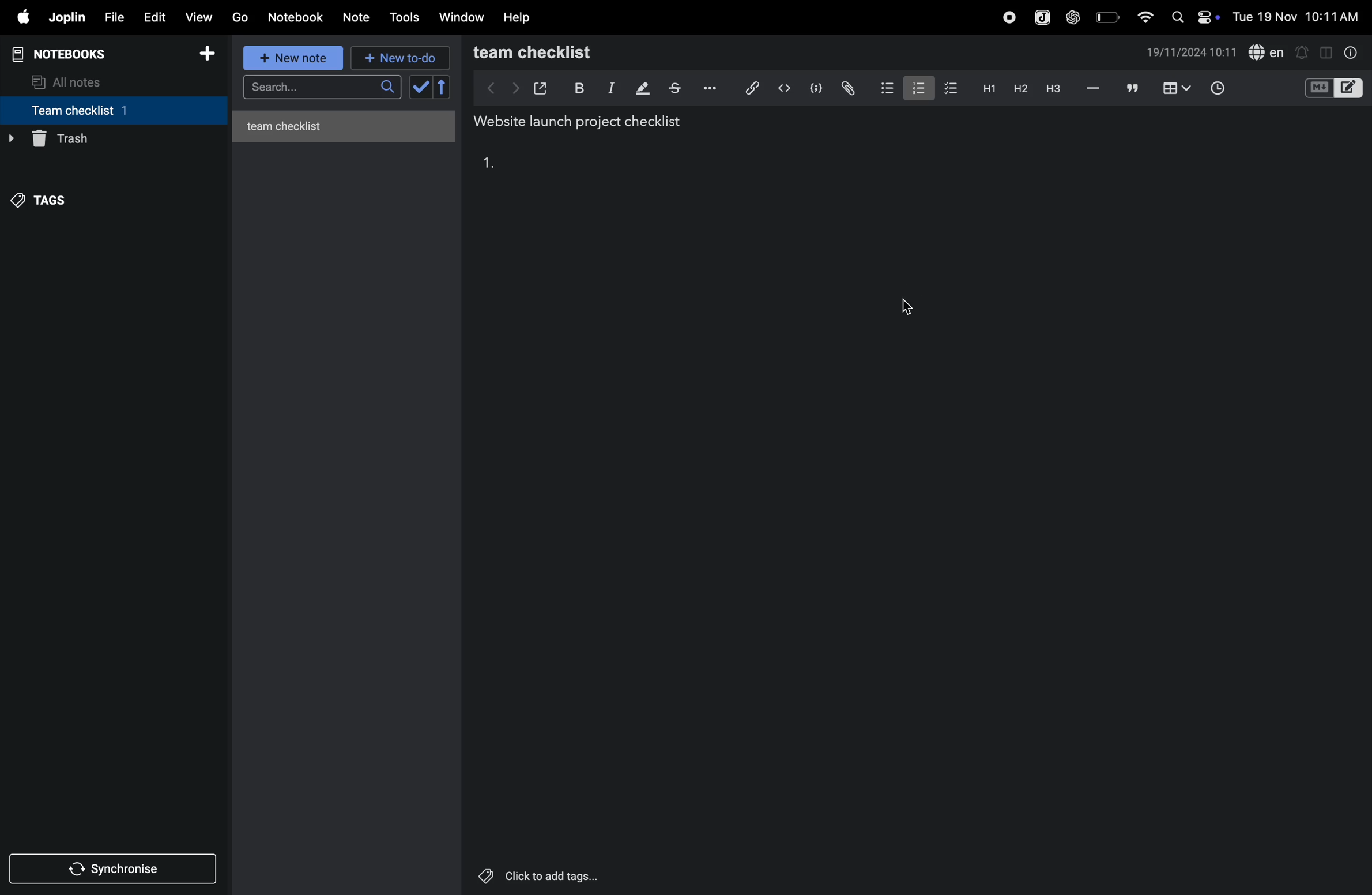 The width and height of the screenshot is (1372, 895). I want to click on add, so click(212, 54).